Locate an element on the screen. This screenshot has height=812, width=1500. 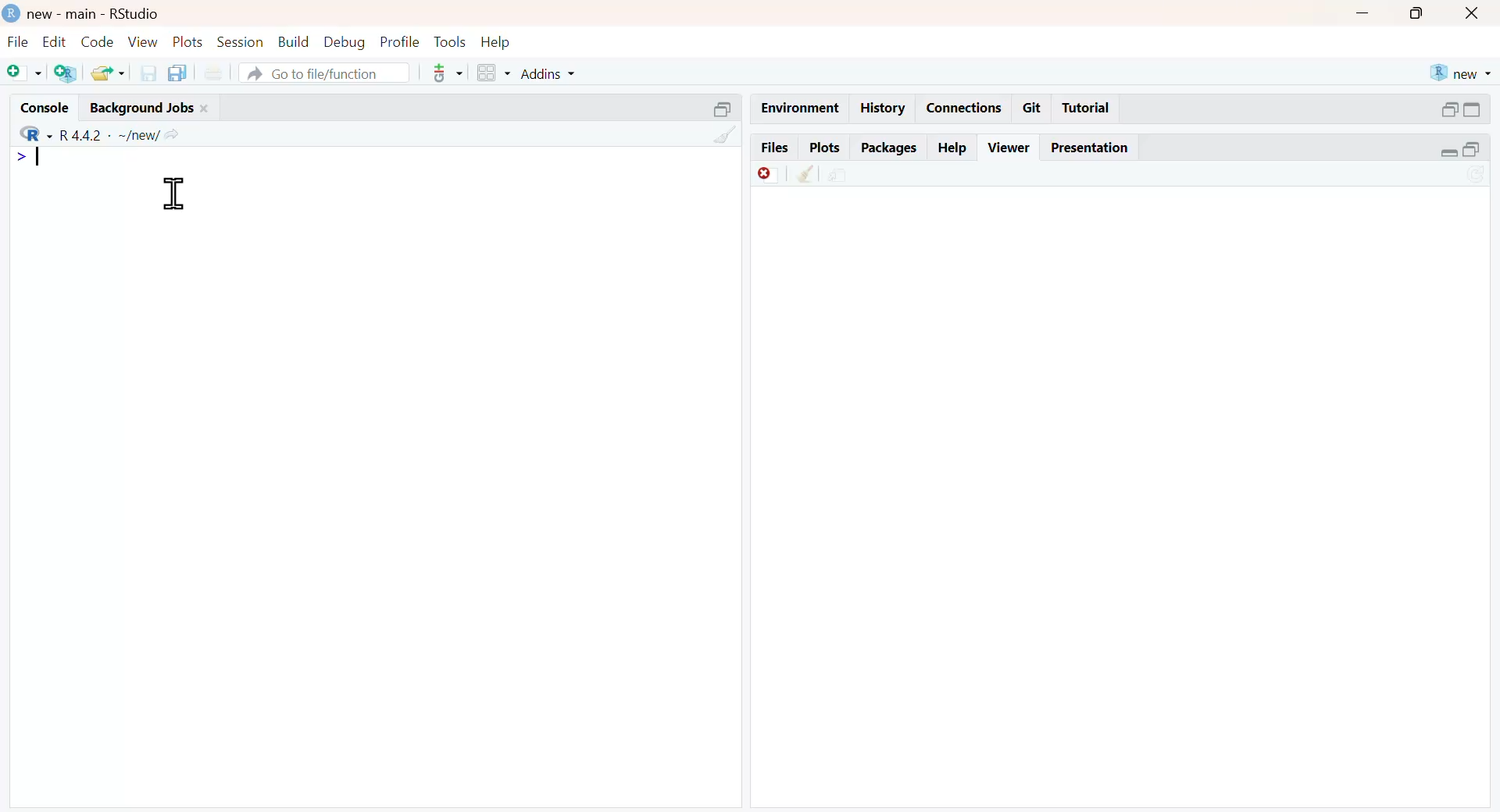
open in separate window is located at coordinates (1451, 109).